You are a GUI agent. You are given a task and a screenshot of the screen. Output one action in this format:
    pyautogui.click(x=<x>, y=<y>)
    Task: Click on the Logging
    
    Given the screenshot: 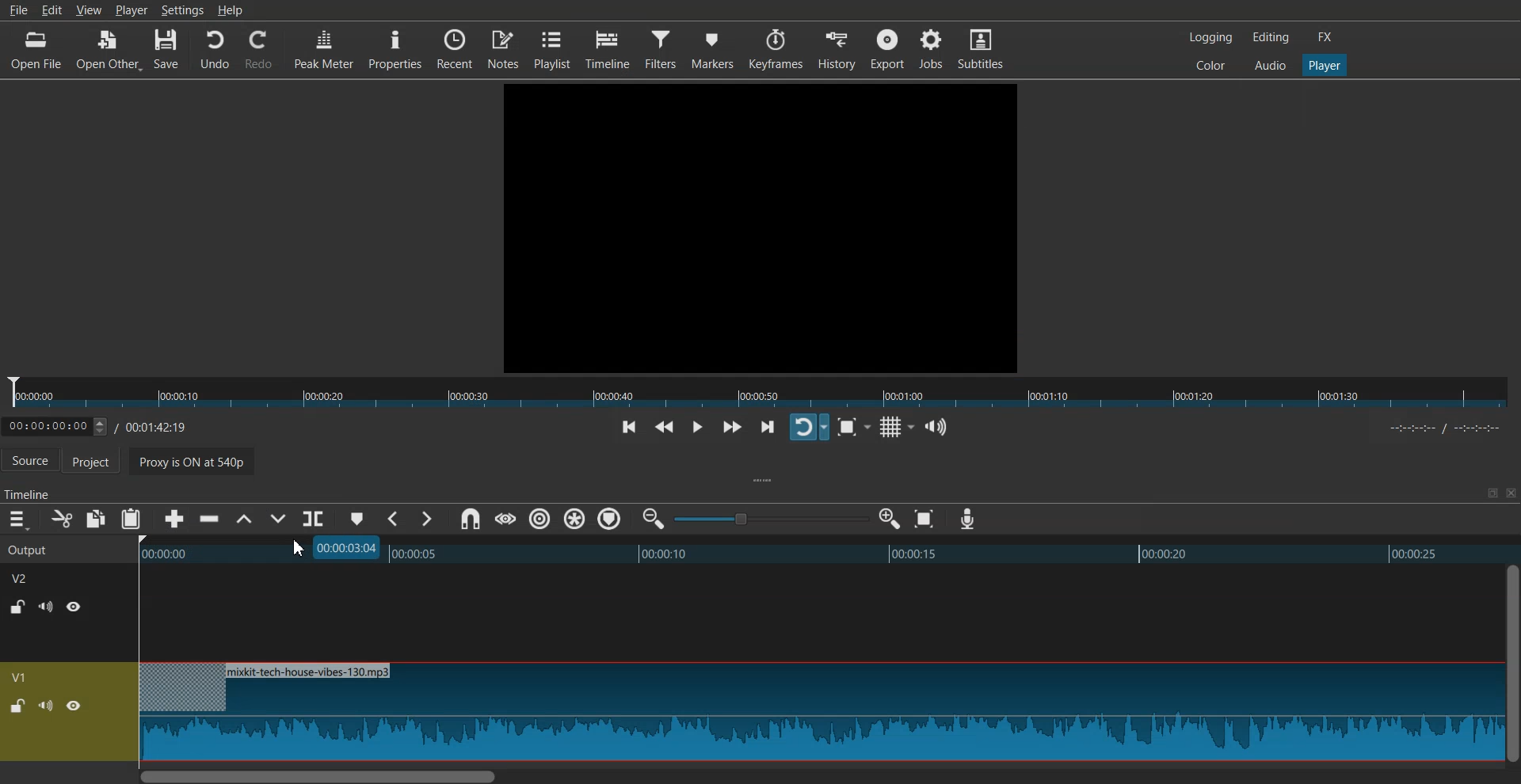 What is the action you would take?
    pyautogui.click(x=1211, y=37)
    